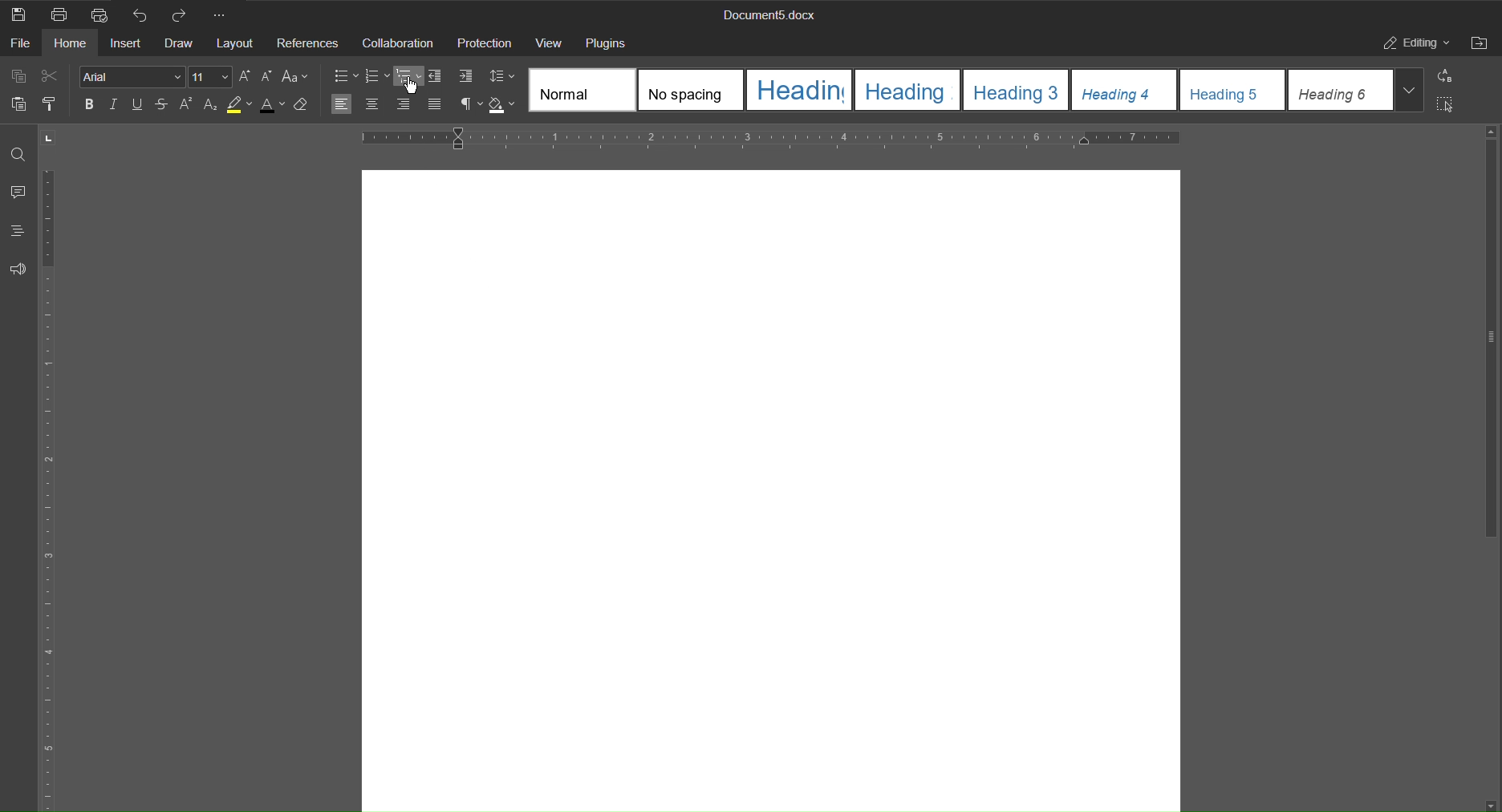 This screenshot has height=812, width=1502. I want to click on decrease indent, so click(437, 76).